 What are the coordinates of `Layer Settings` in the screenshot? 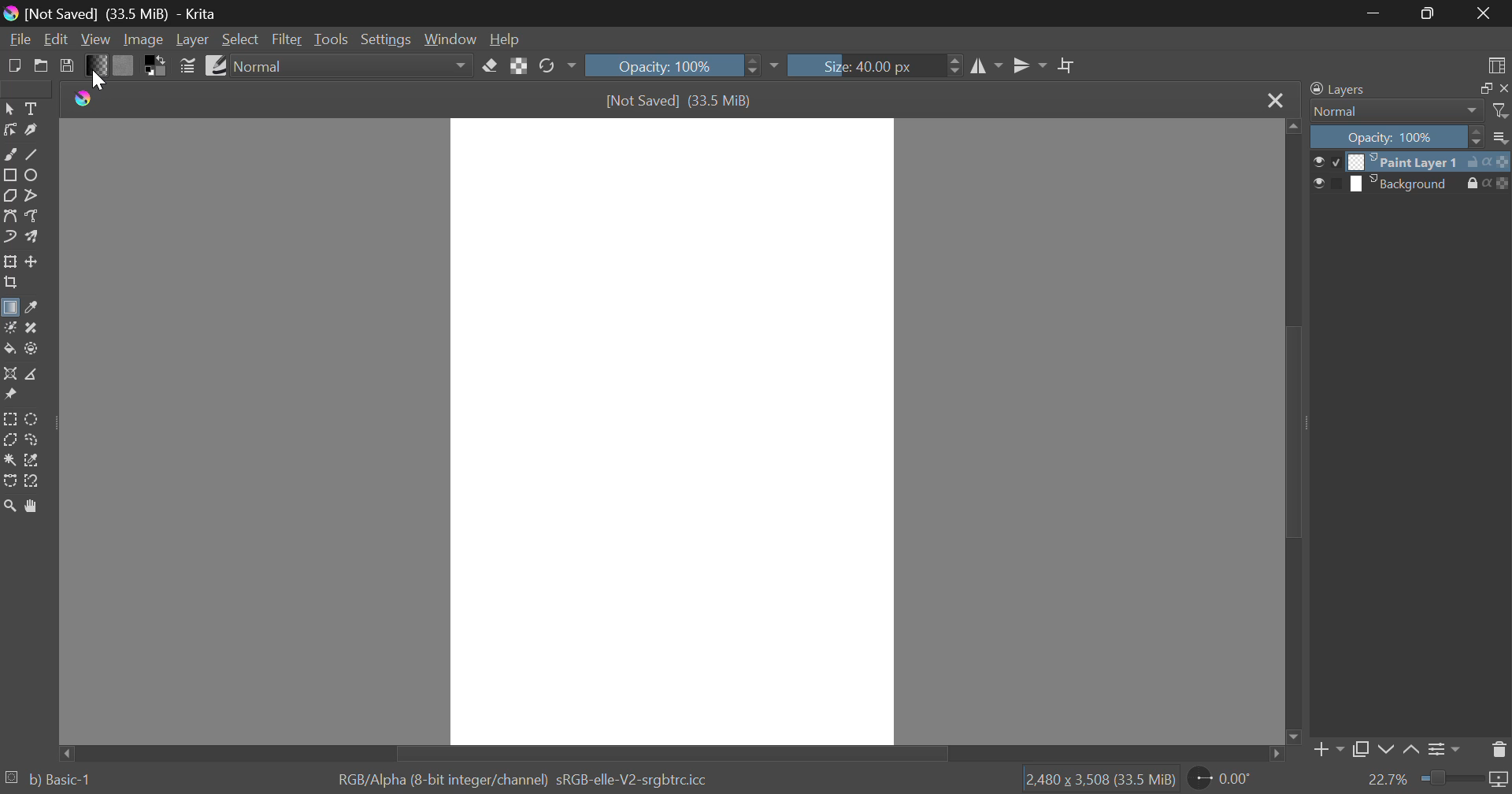 It's located at (1442, 749).